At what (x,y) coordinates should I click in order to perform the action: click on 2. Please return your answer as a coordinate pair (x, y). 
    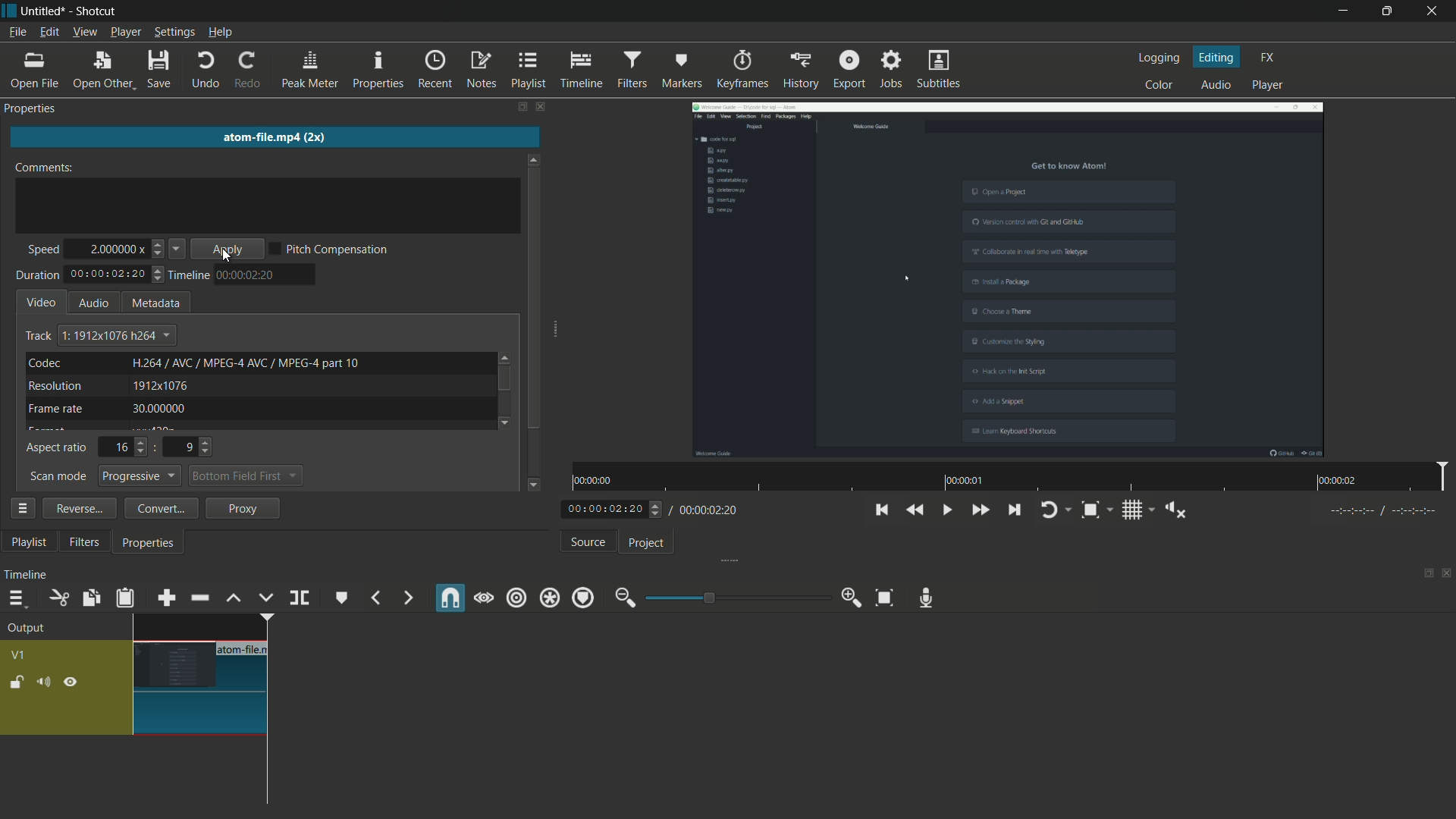
    Looking at the image, I should click on (111, 245).